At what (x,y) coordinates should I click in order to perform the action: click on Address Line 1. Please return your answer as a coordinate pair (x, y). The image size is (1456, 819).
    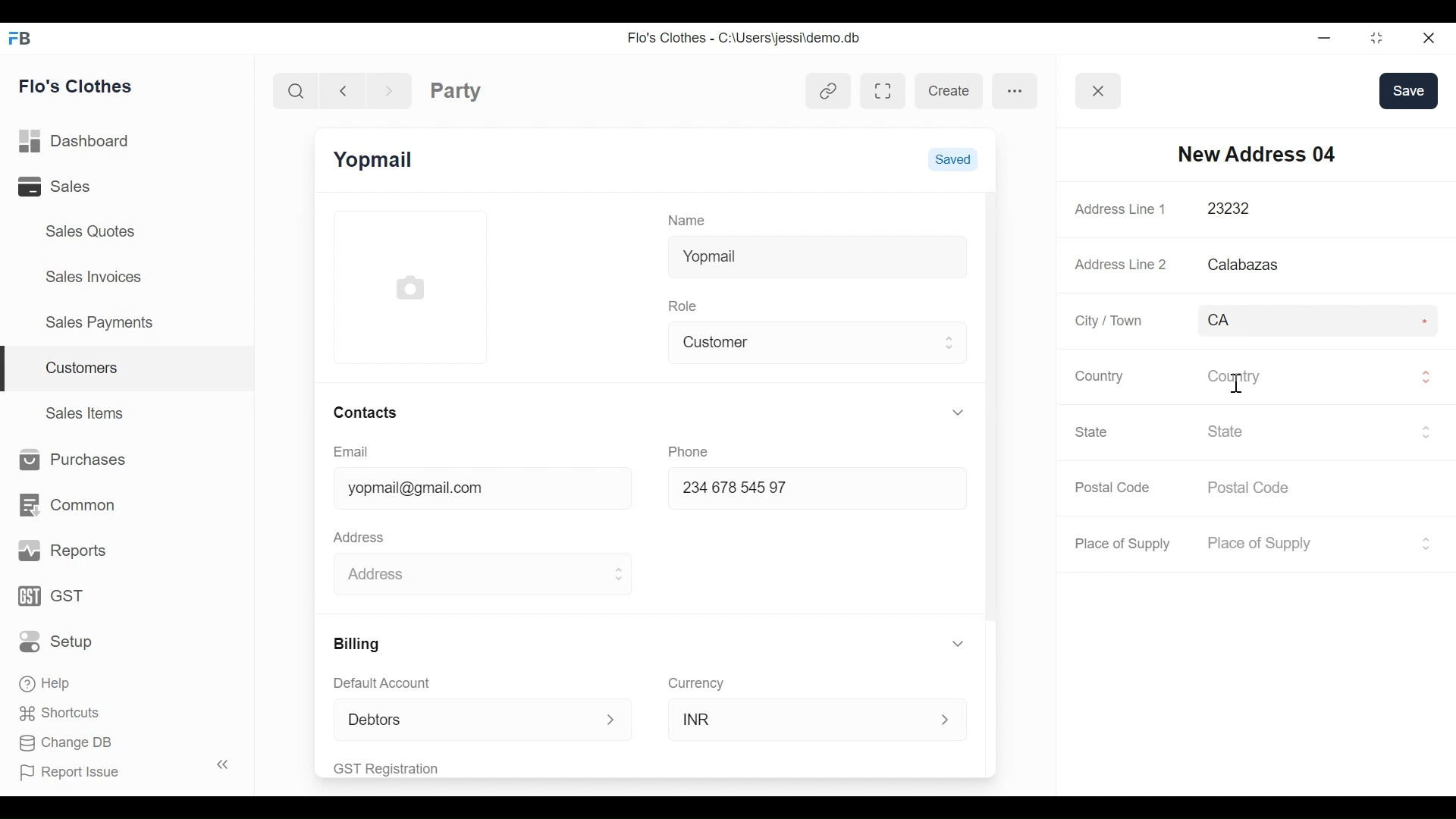
    Looking at the image, I should click on (1122, 209).